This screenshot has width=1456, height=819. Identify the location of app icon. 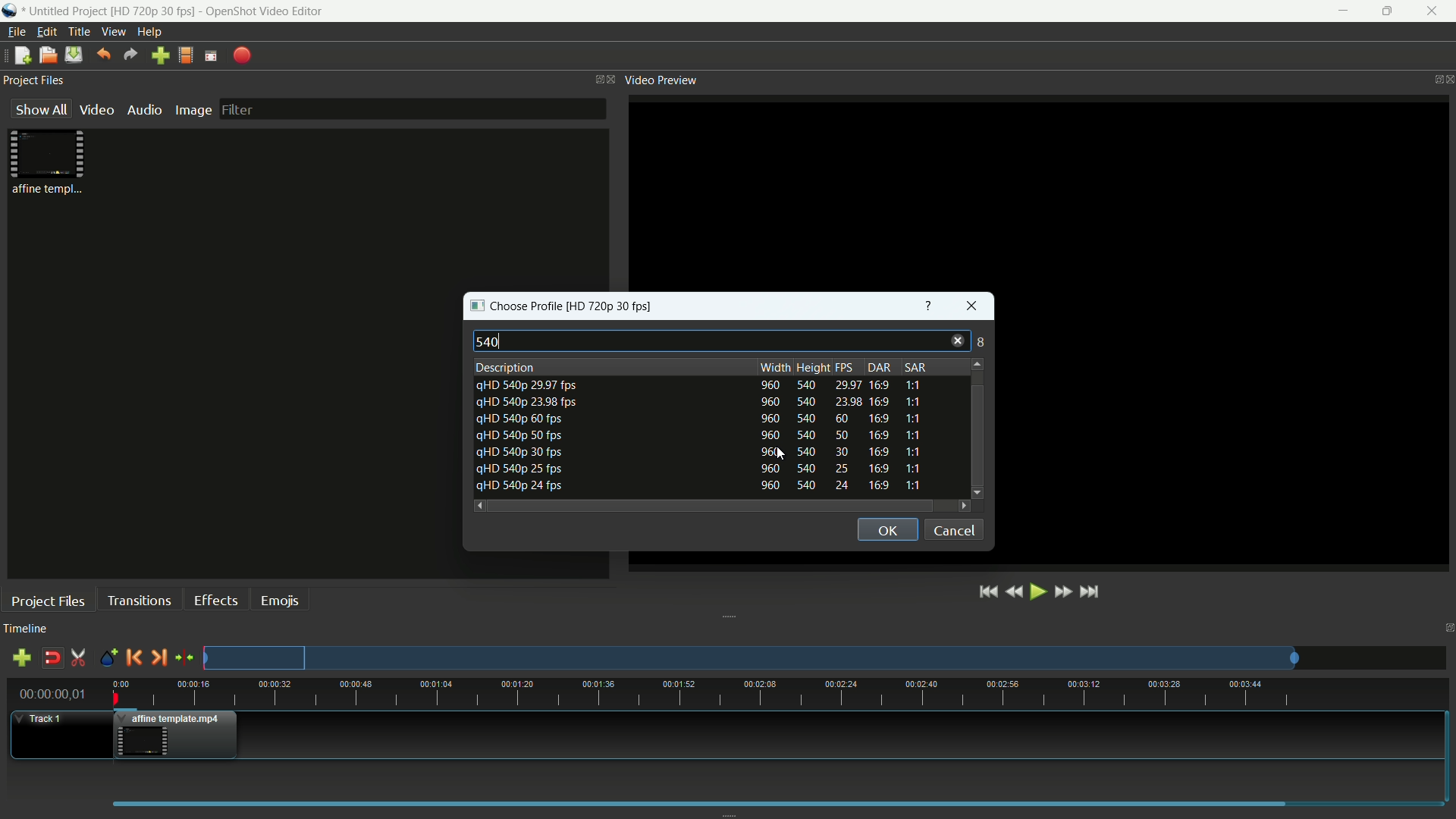
(10, 11).